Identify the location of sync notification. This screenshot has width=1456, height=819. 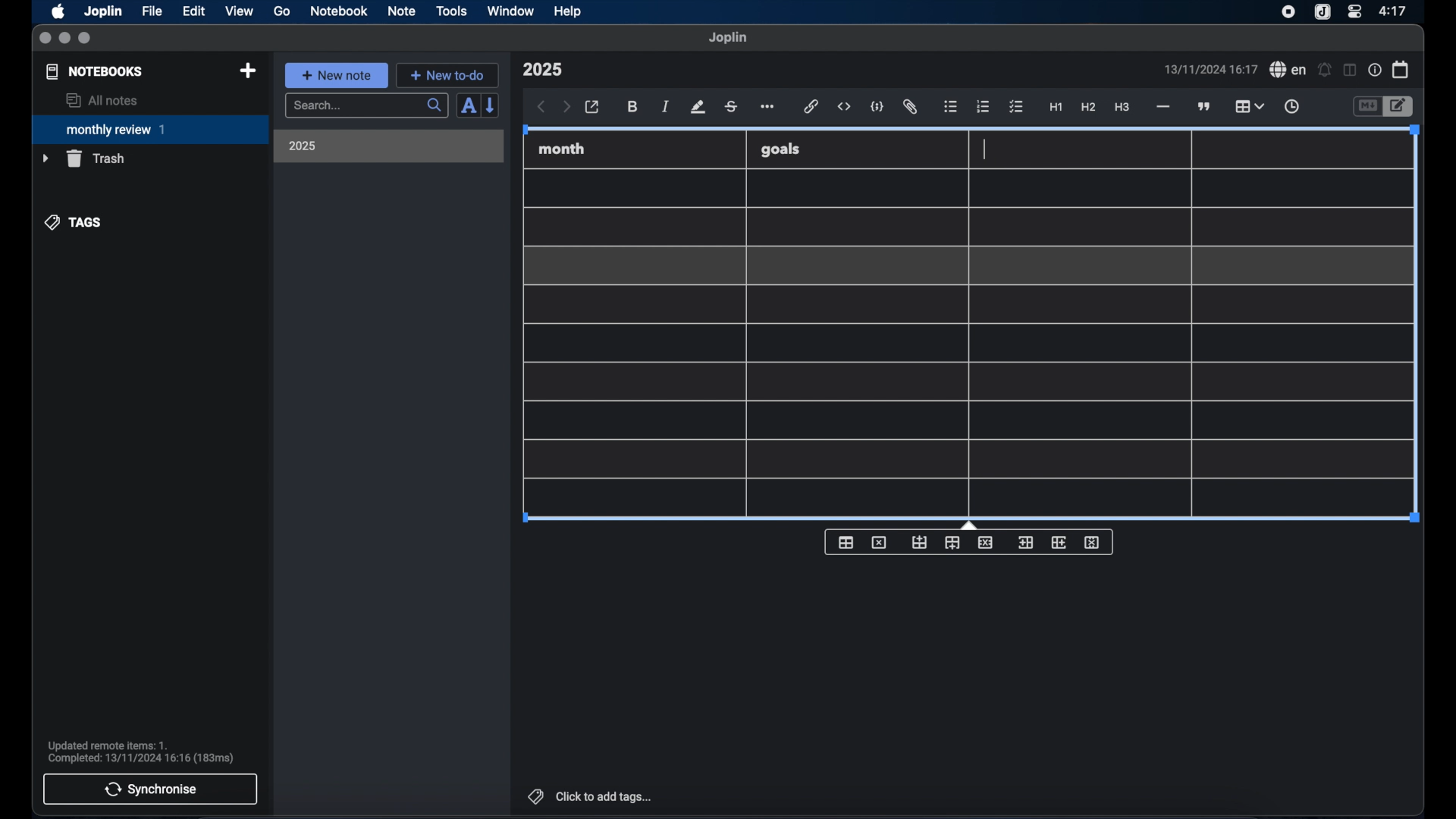
(141, 752).